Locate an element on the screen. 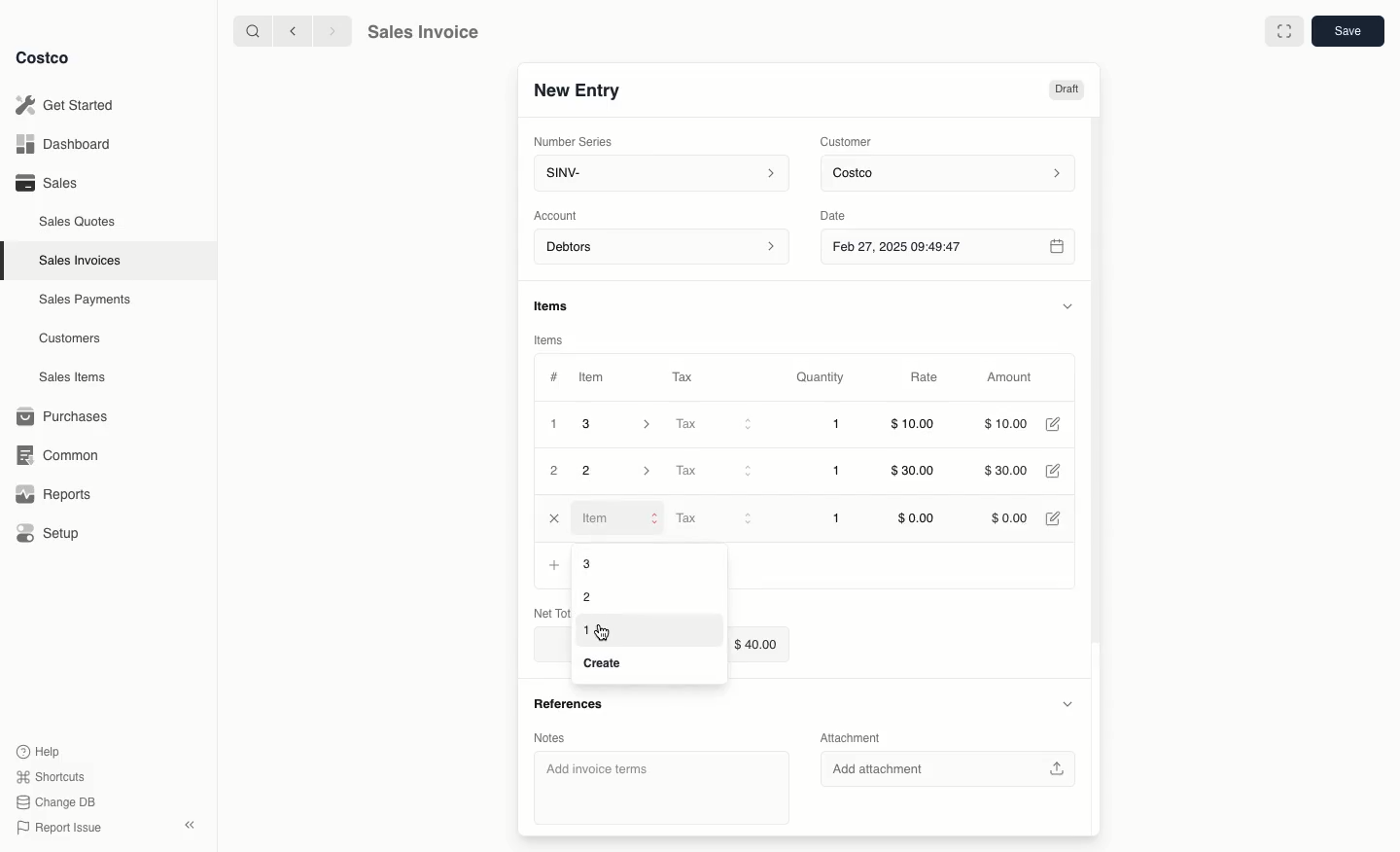 The width and height of the screenshot is (1400, 852). 1 is located at coordinates (838, 426).